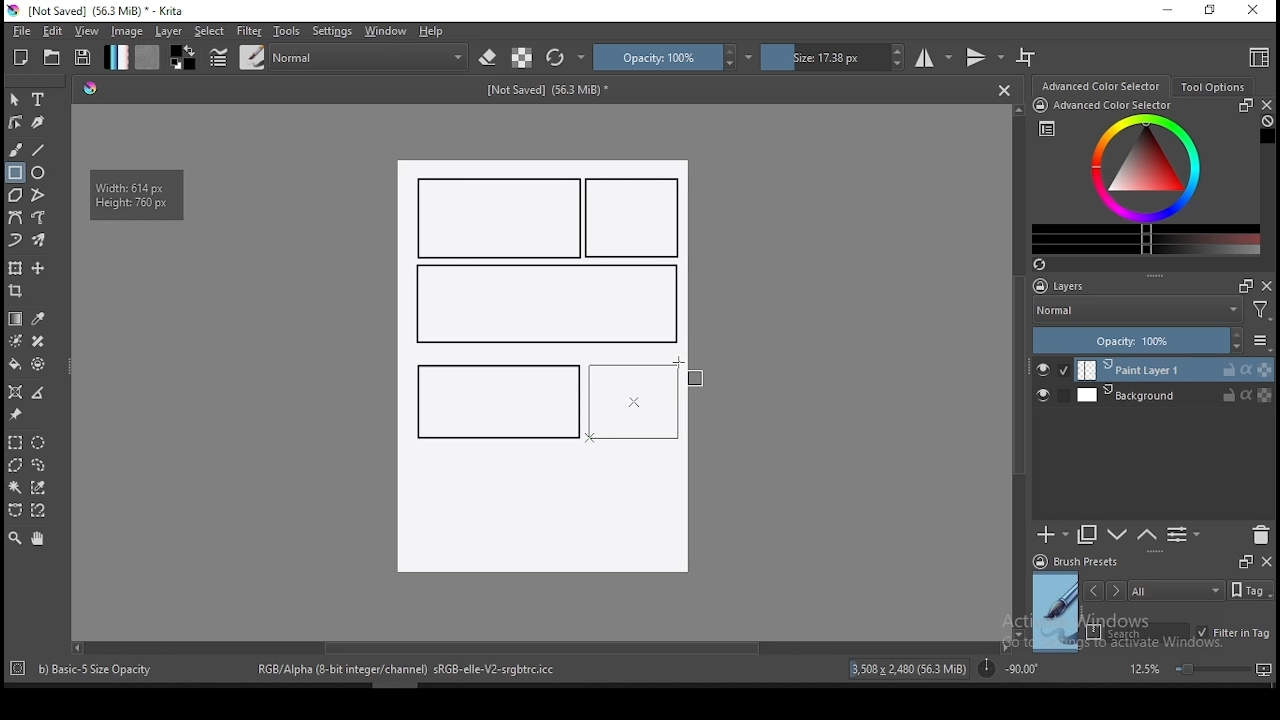 The image size is (1280, 720). I want to click on select shapes tool, so click(15, 99).